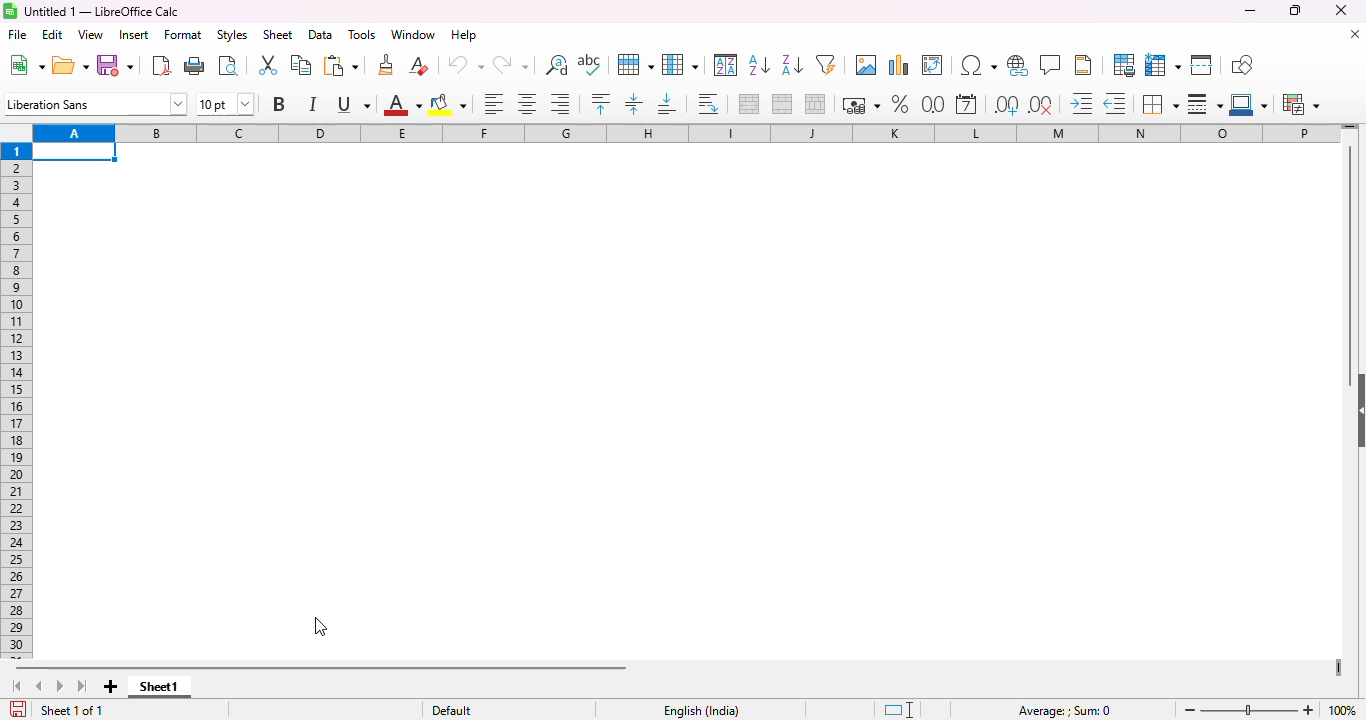 This screenshot has width=1366, height=720. I want to click on sort, so click(726, 65).